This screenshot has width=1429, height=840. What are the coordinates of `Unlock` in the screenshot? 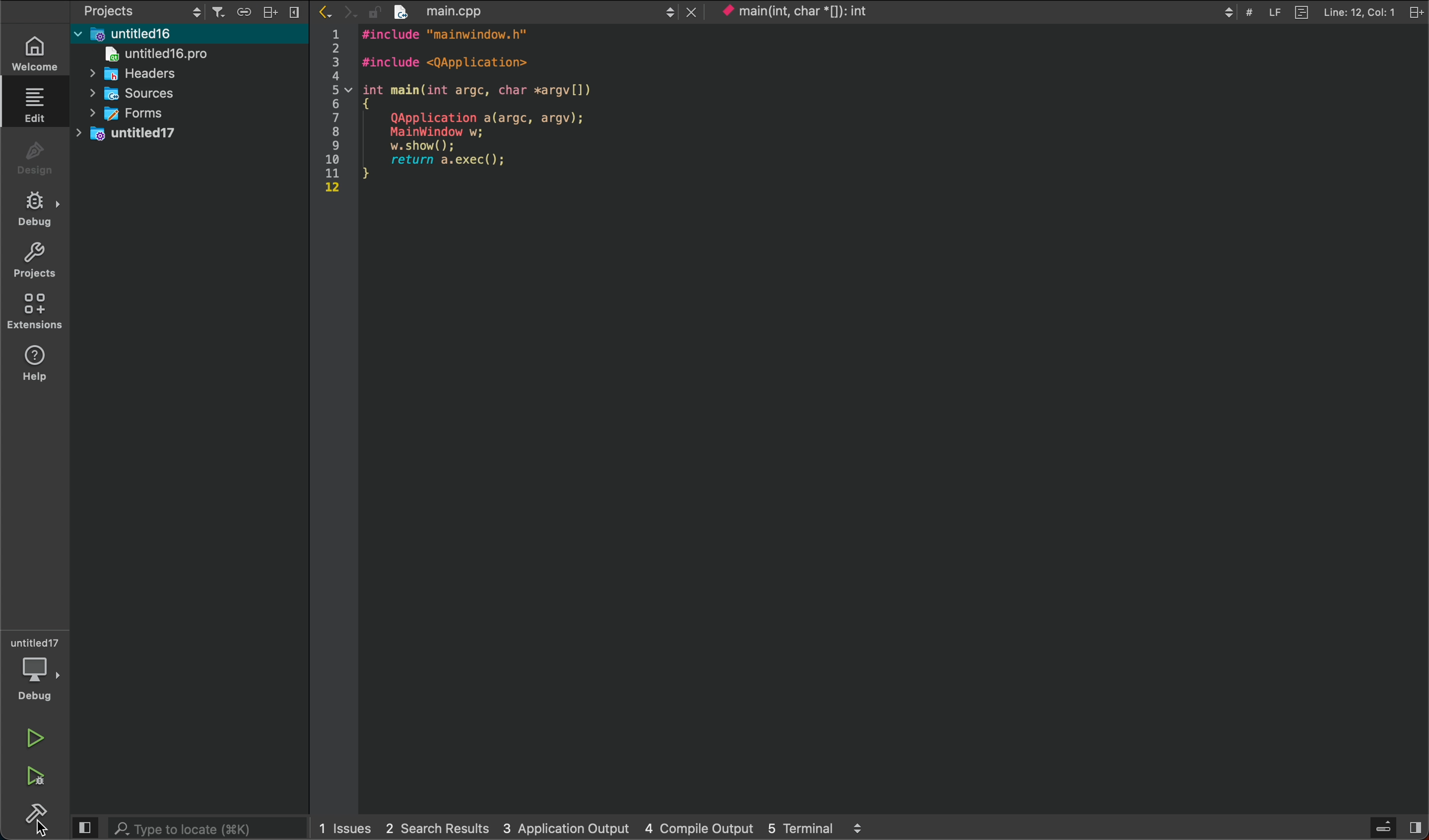 It's located at (374, 12).